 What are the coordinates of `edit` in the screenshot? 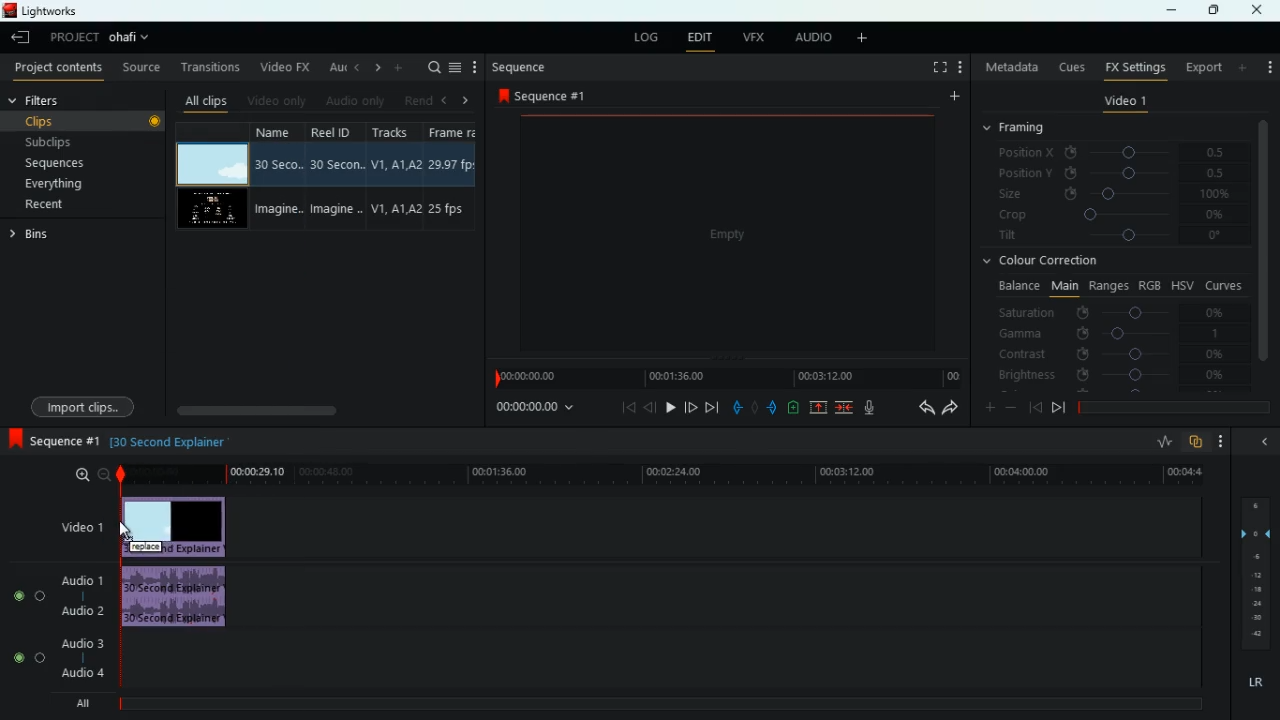 It's located at (700, 37).